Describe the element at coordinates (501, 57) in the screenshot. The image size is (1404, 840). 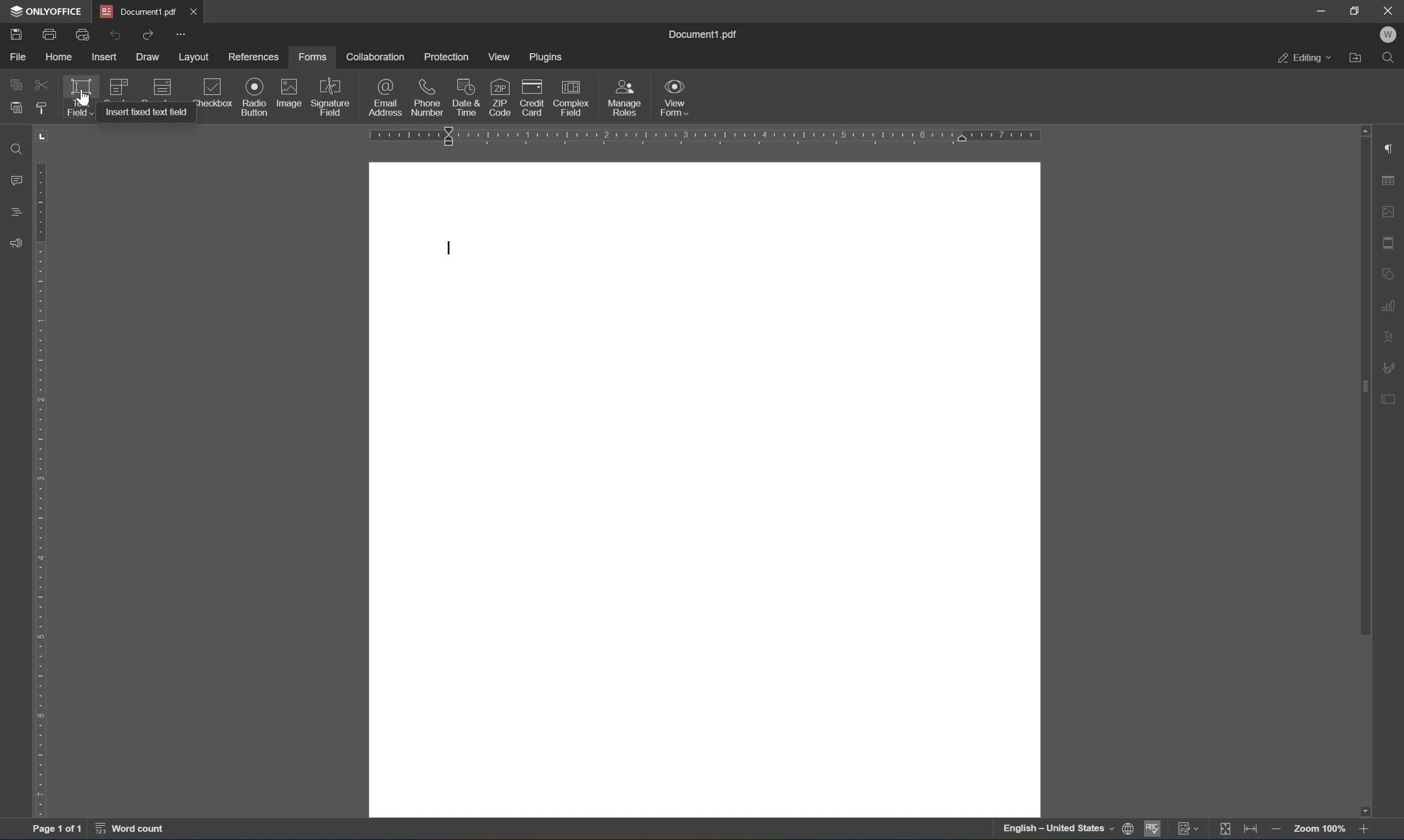
I see `view` at that location.